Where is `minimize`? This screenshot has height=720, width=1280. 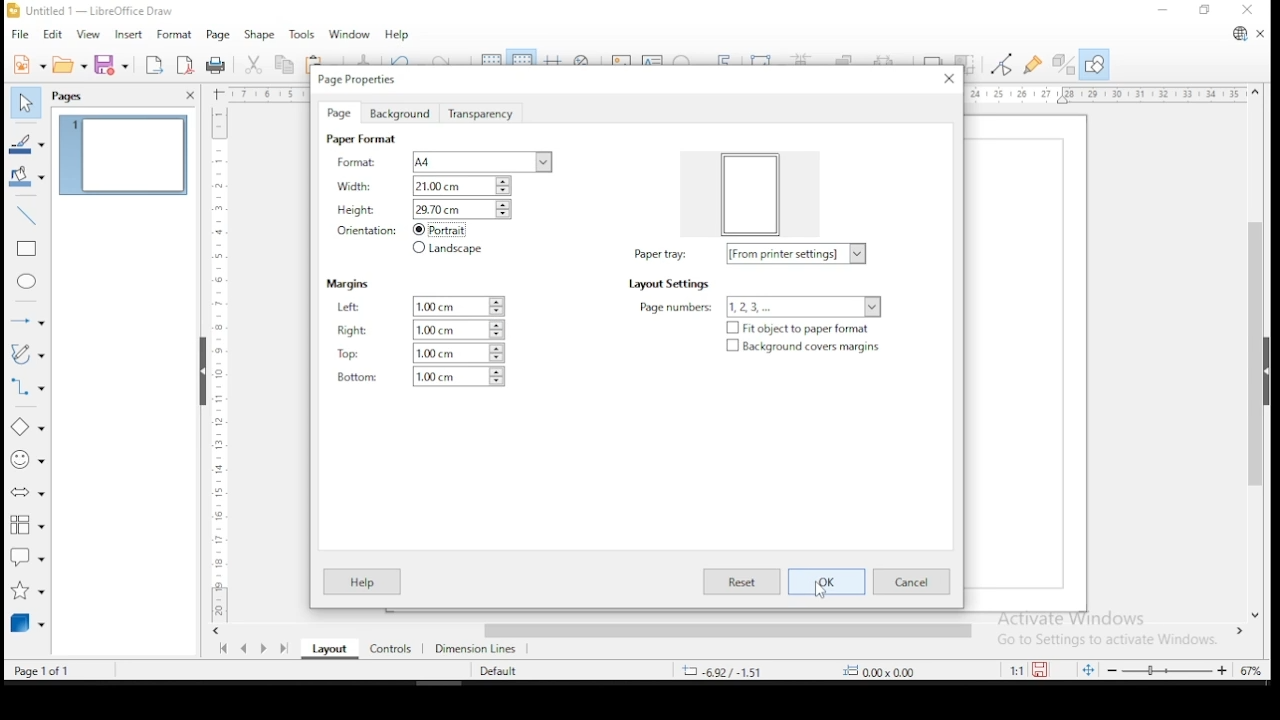 minimize is located at coordinates (1163, 10).